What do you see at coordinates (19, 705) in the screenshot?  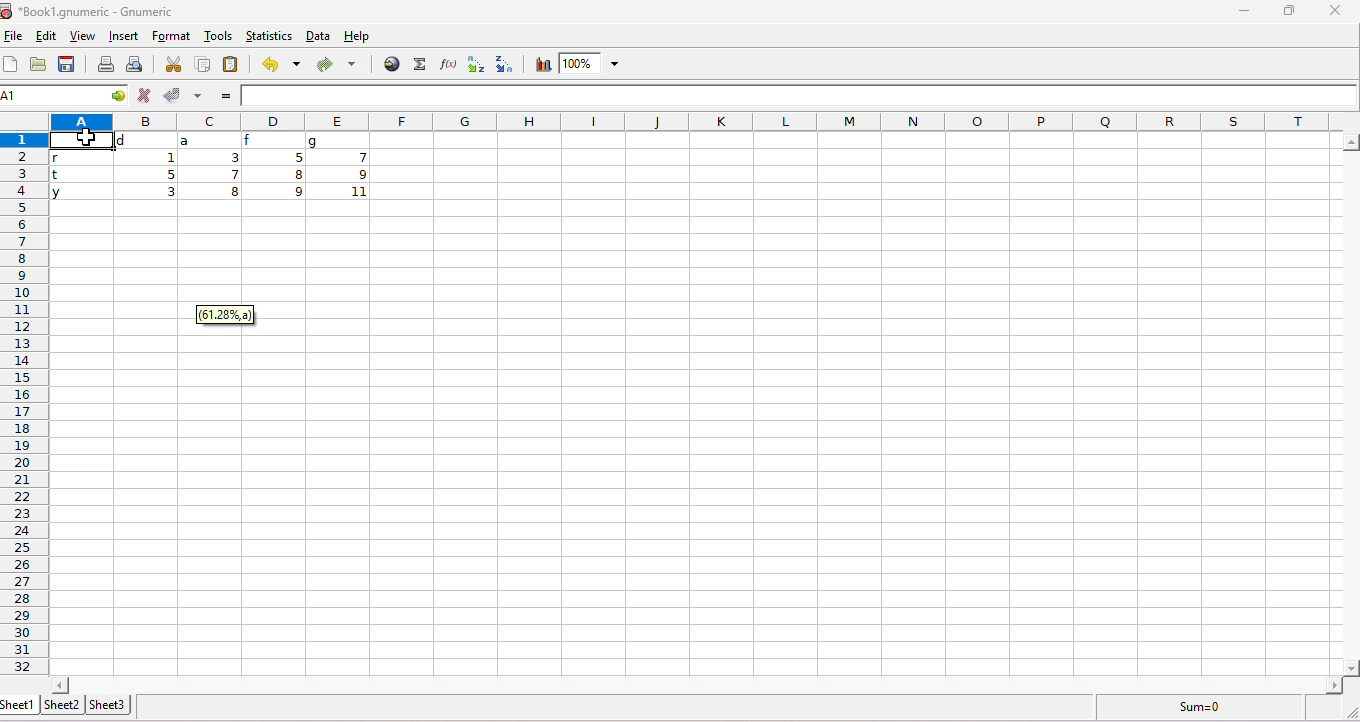 I see `sheet1` at bounding box center [19, 705].